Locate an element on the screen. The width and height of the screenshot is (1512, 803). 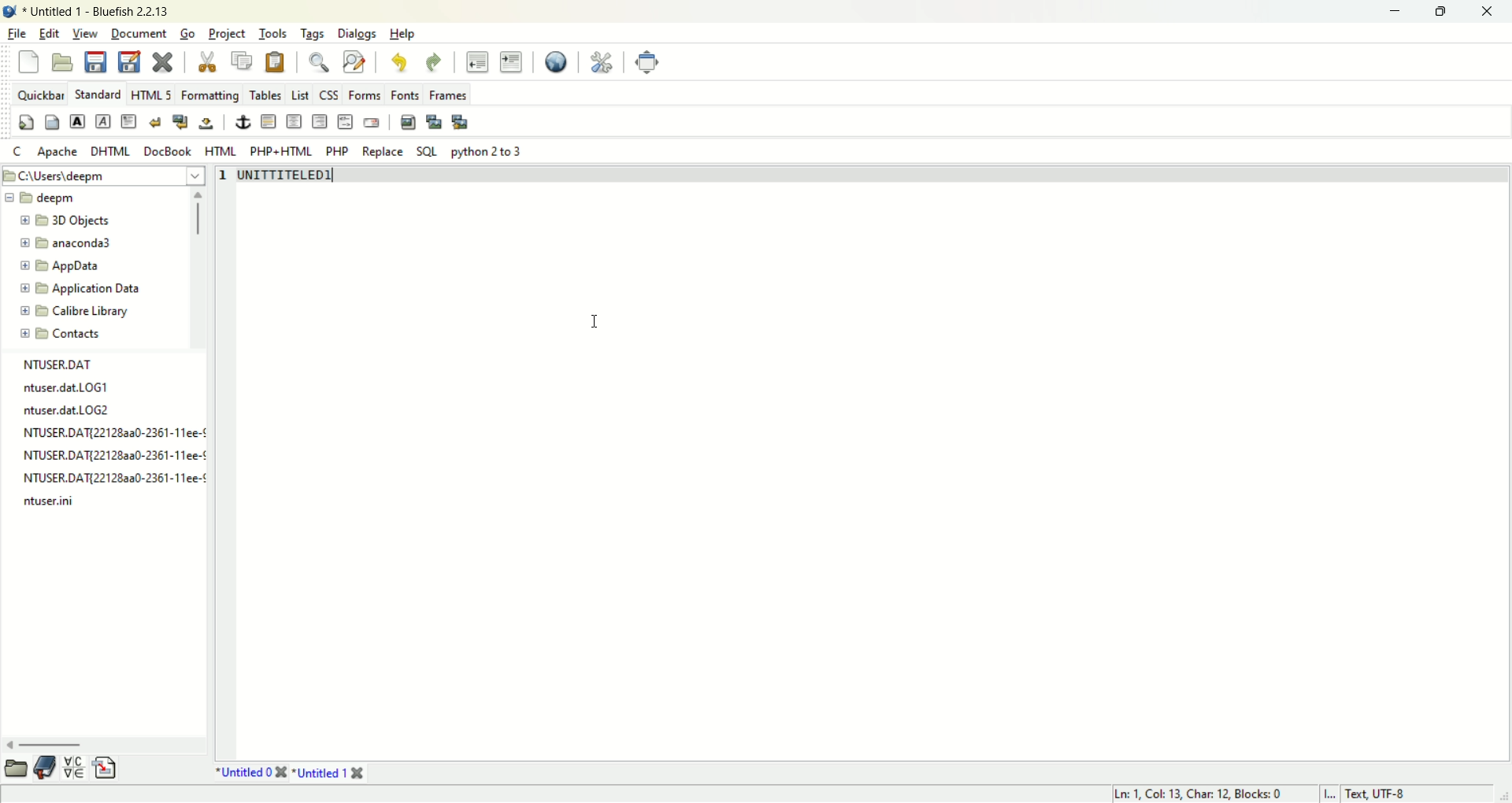
paragraph is located at coordinates (130, 121).